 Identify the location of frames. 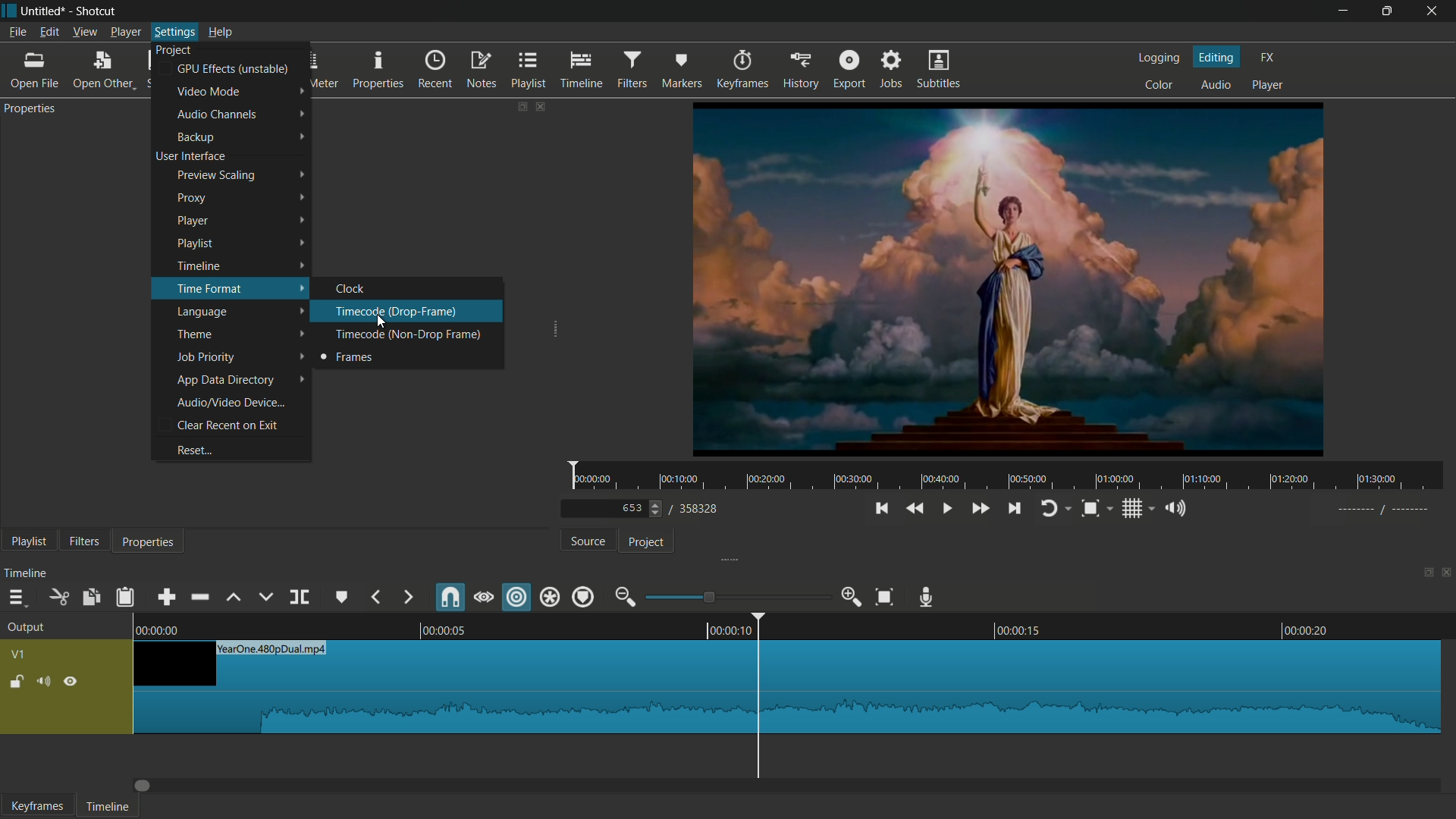
(350, 357).